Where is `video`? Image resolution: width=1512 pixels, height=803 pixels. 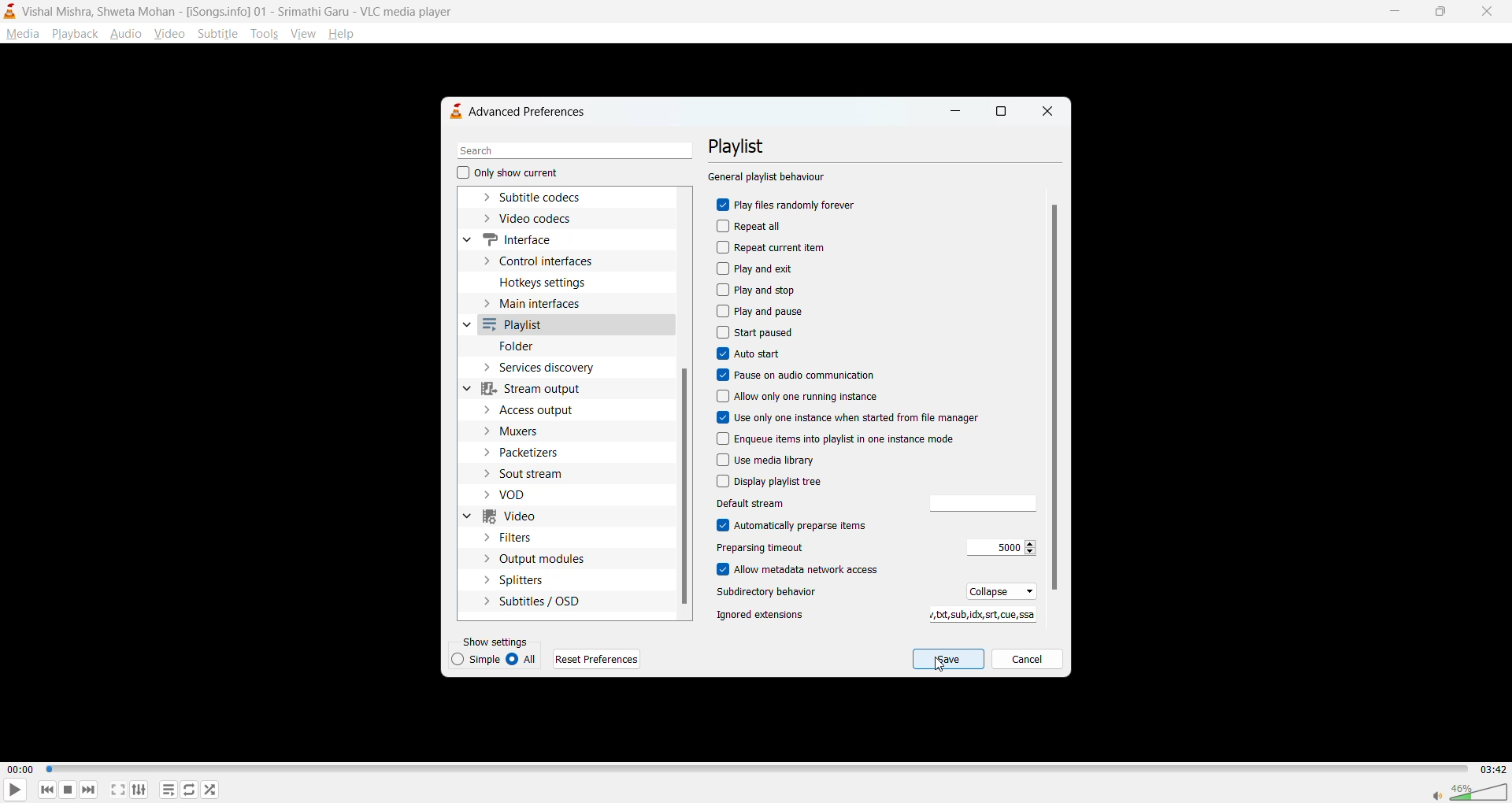
video is located at coordinates (171, 33).